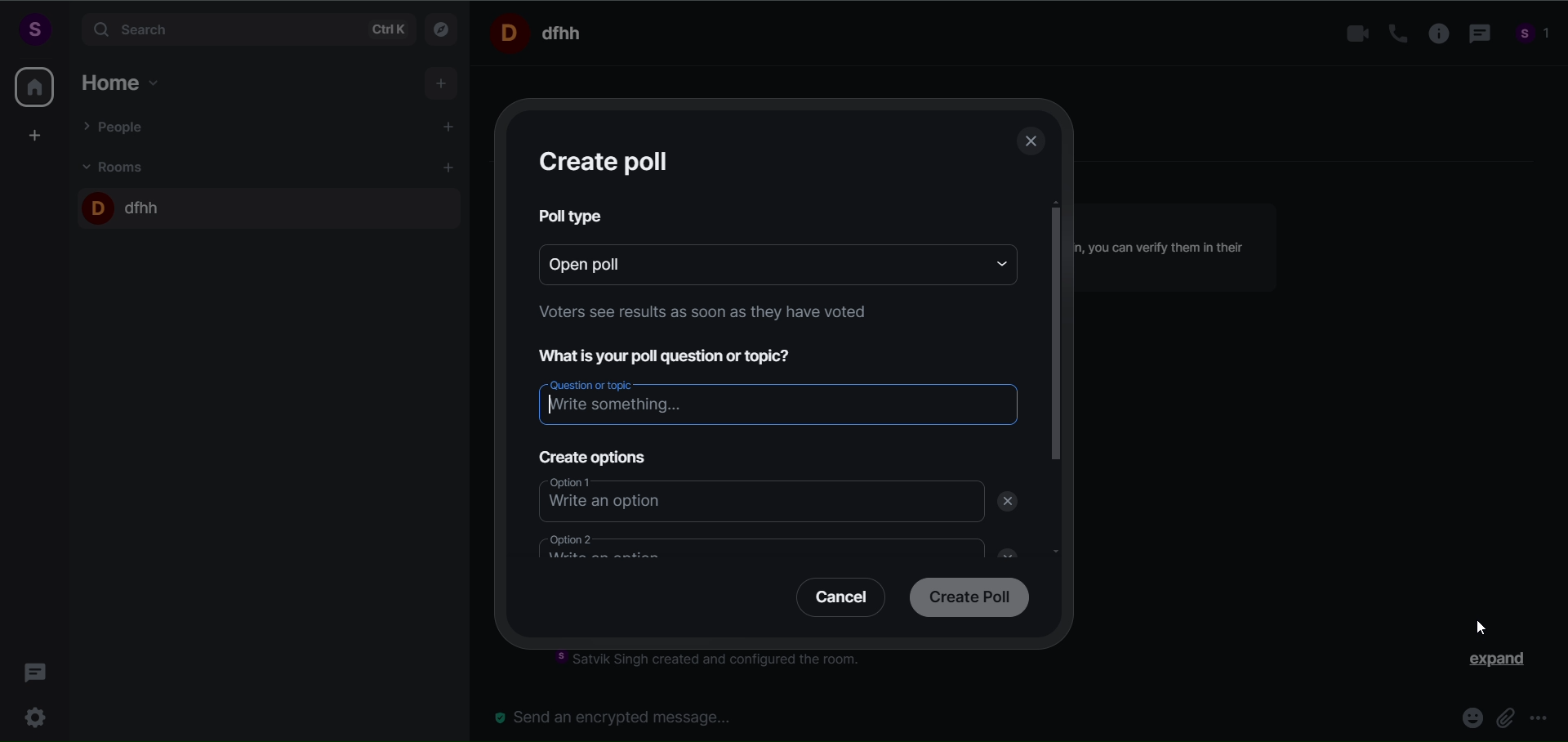 The height and width of the screenshot is (742, 1568). Describe the element at coordinates (1534, 36) in the screenshot. I see `people` at that location.